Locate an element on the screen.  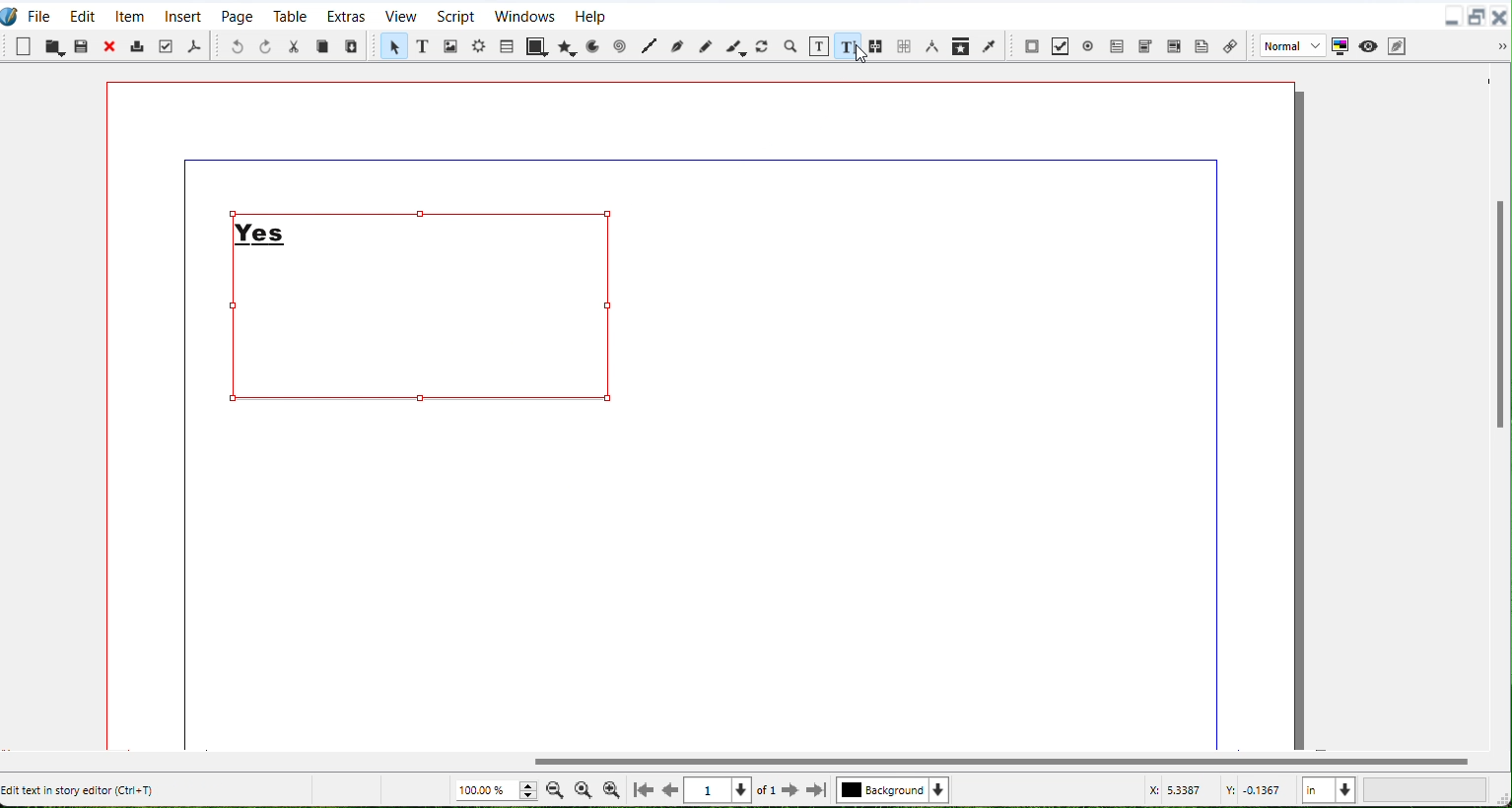
Paste is located at coordinates (82, 46).